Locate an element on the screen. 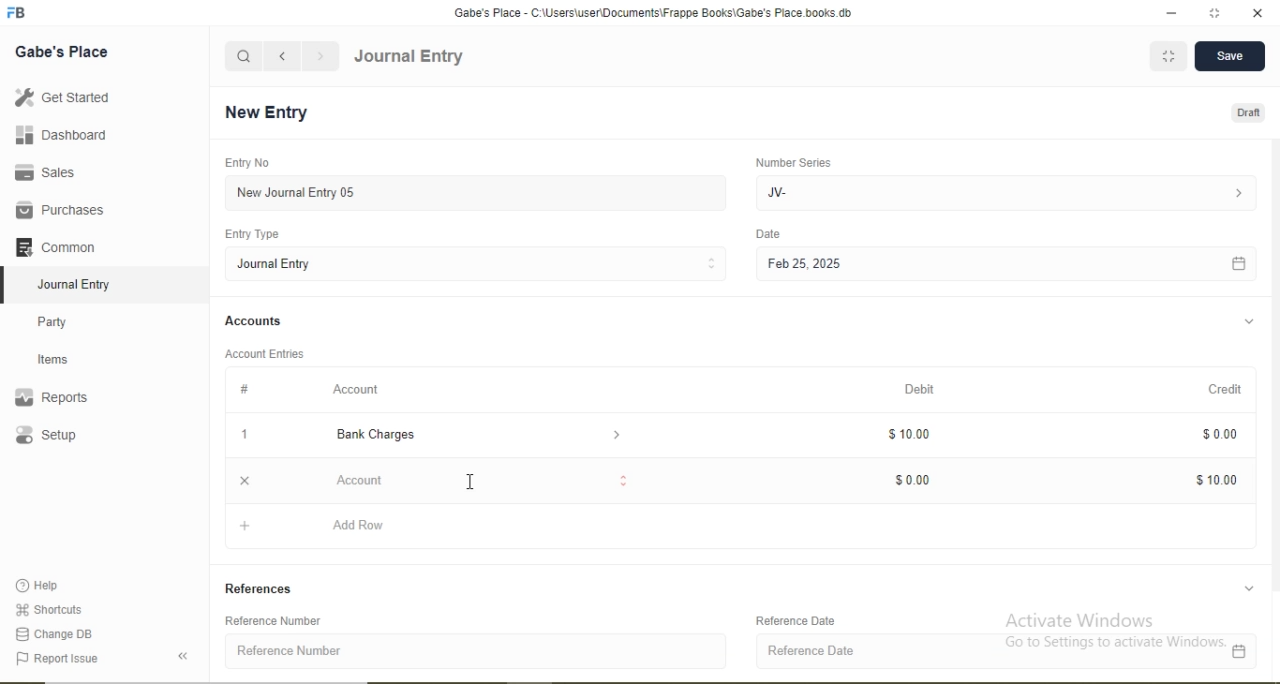 Image resolution: width=1280 pixels, height=684 pixels. Credit is located at coordinates (1219, 388).